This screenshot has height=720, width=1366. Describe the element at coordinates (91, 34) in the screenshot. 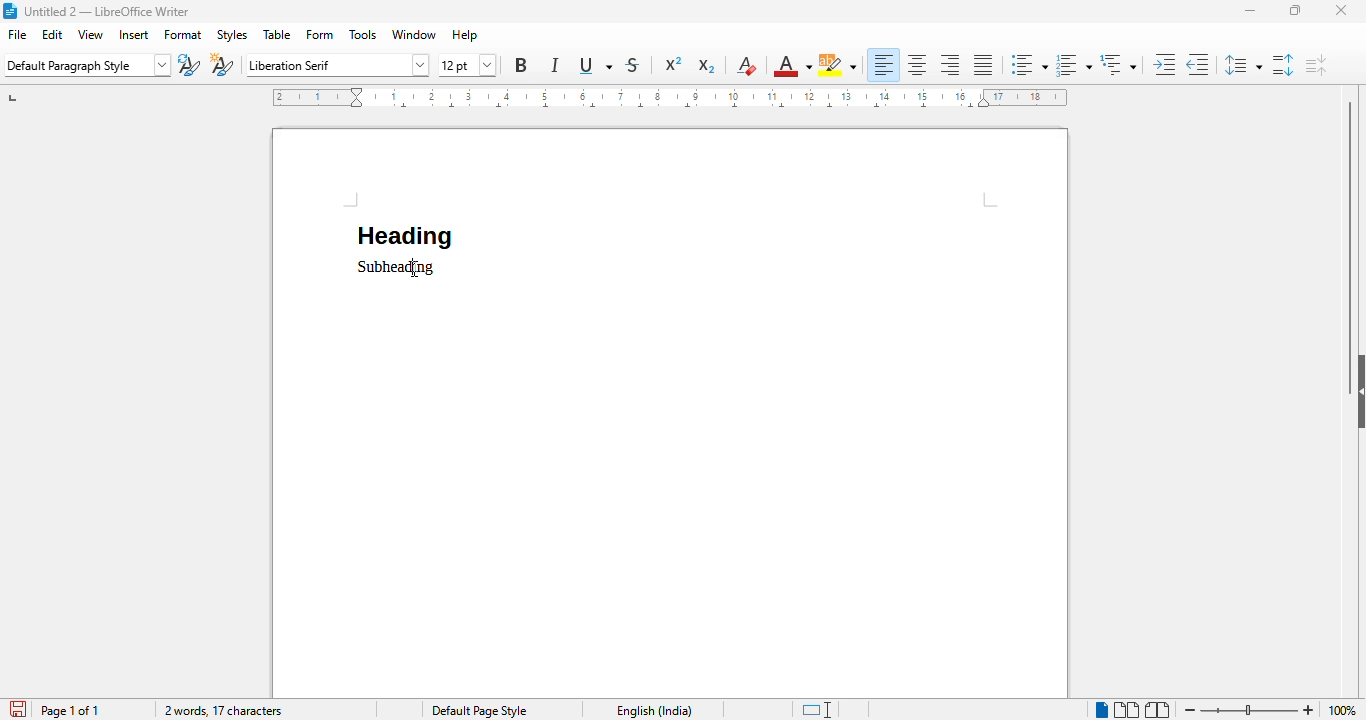

I see `view` at that location.